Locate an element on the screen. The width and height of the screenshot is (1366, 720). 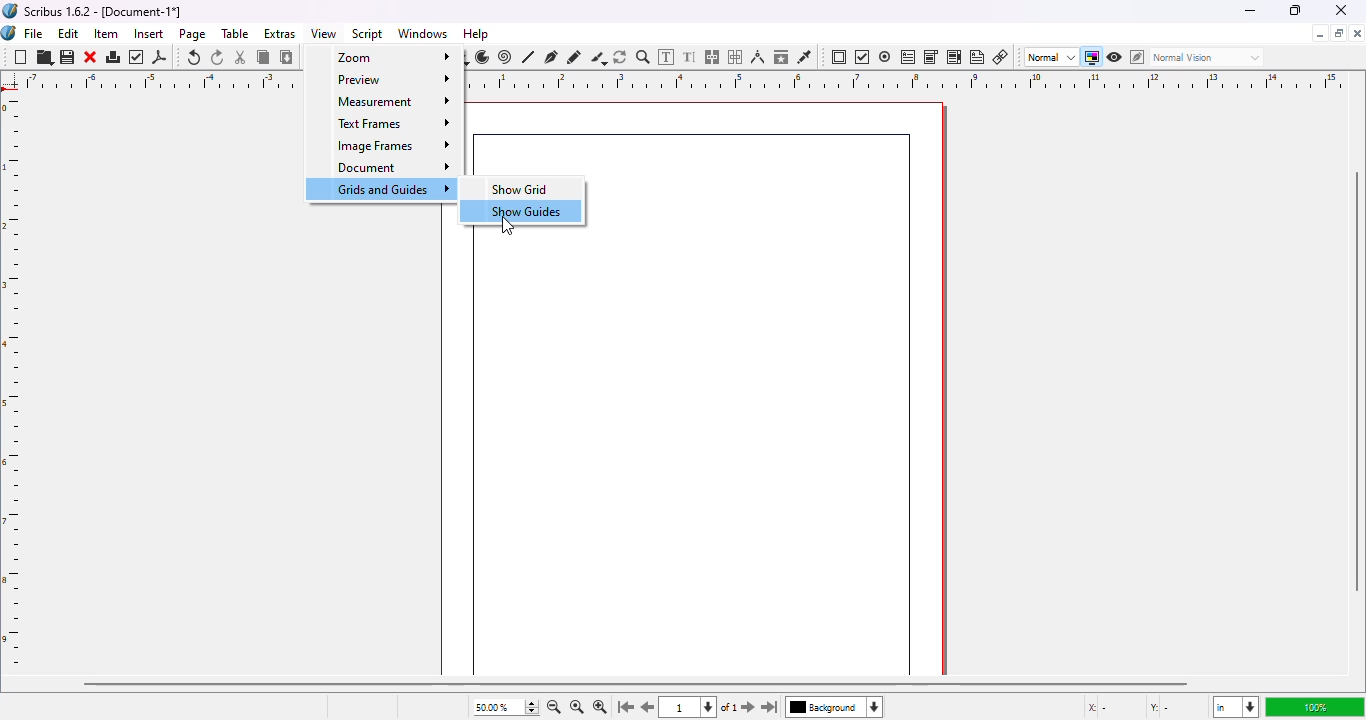
maximize is located at coordinates (1339, 33).